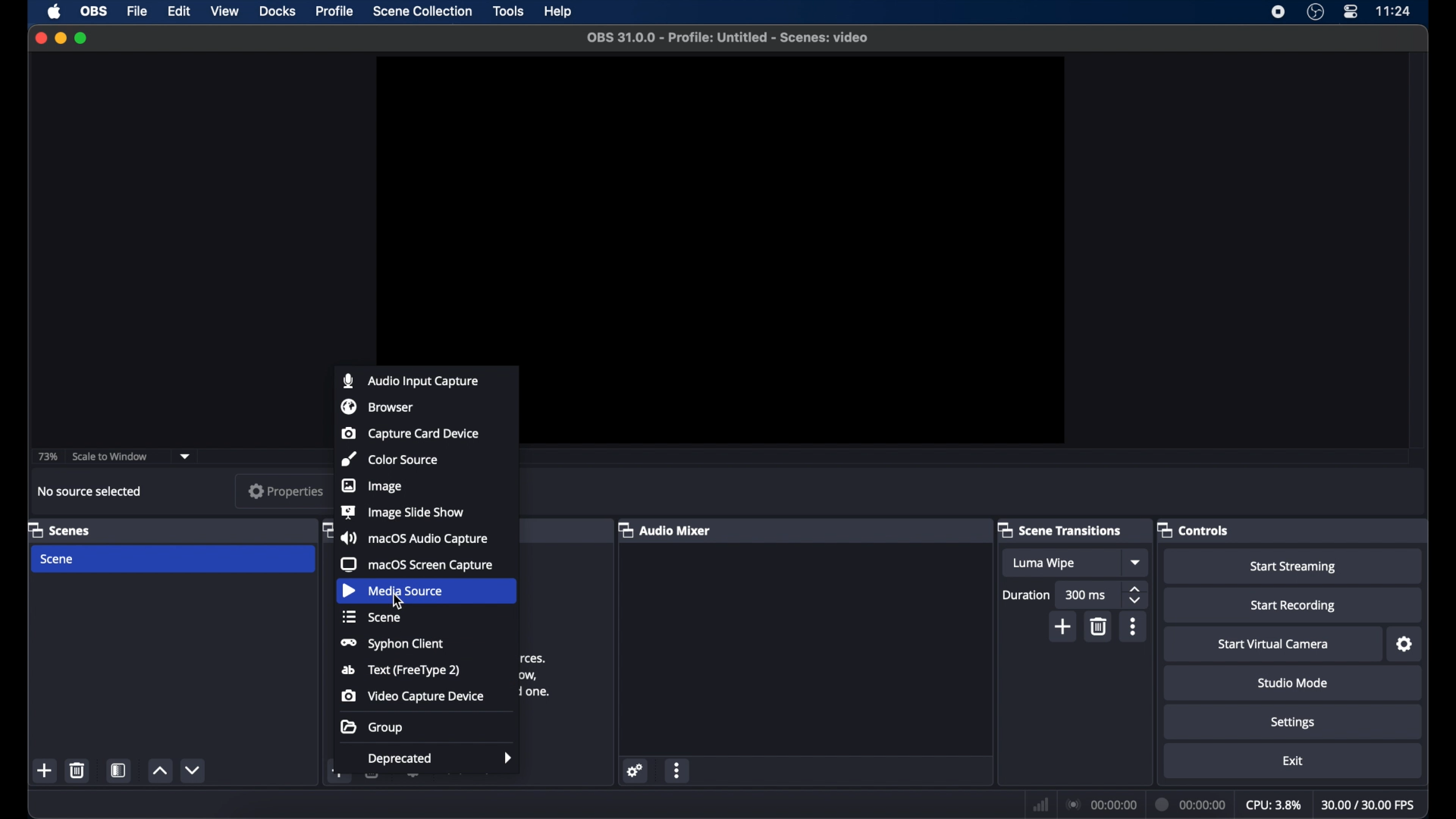  Describe the element at coordinates (417, 565) in the screenshot. I see `macOS screen capture` at that location.